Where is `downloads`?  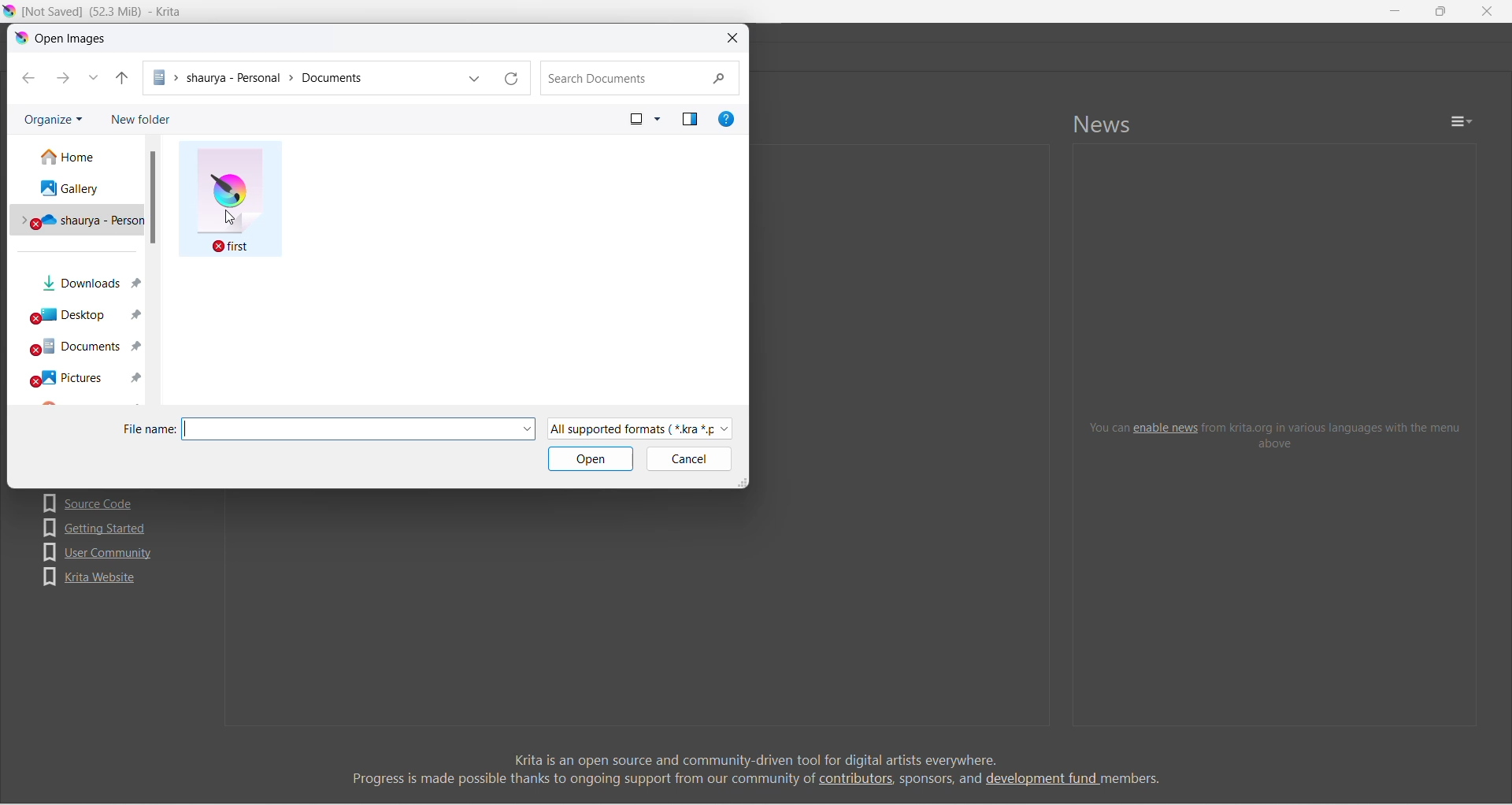
downloads is located at coordinates (83, 278).